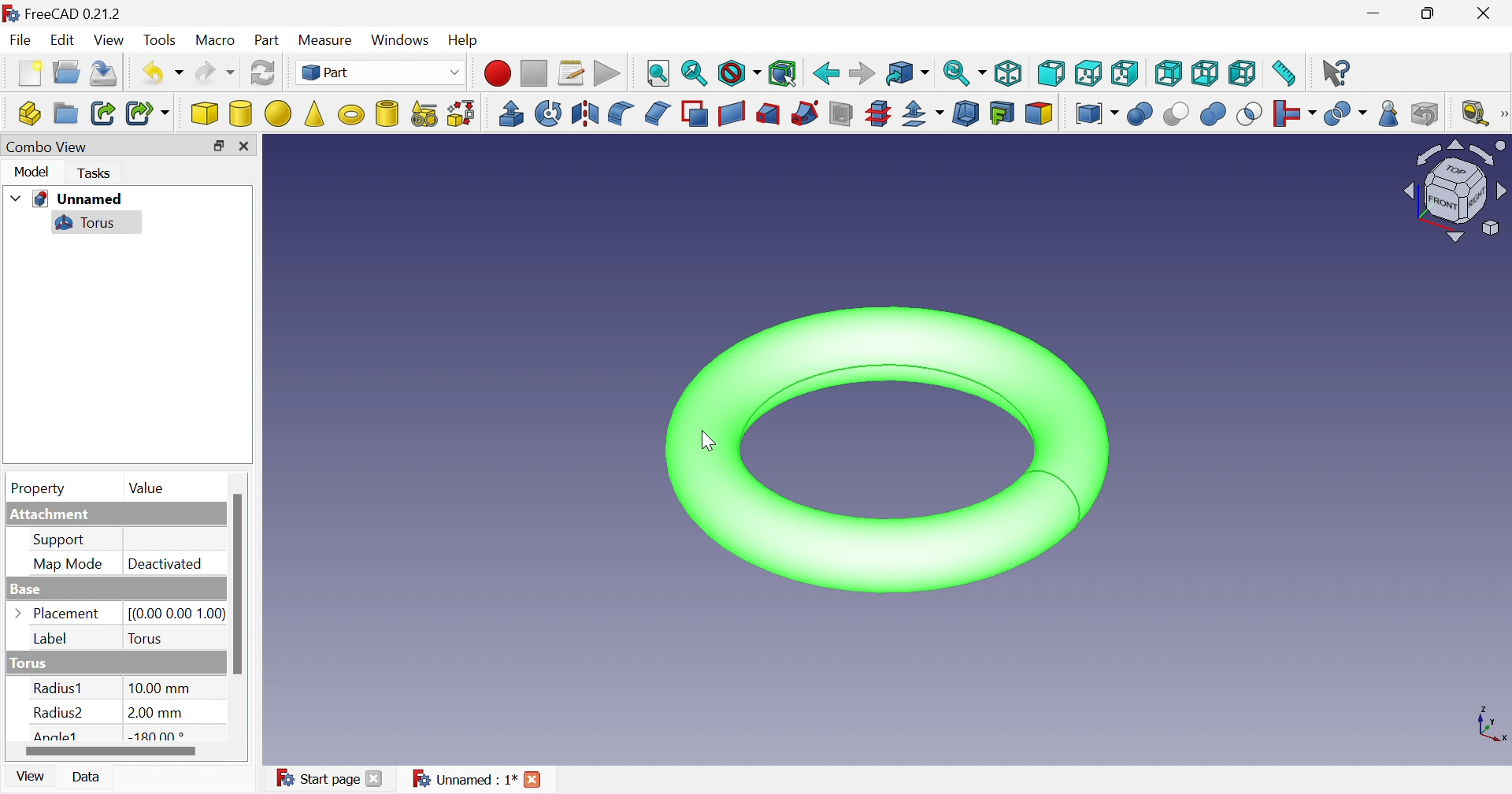 This screenshot has height=794, width=1512. Describe the element at coordinates (887, 451) in the screenshot. I see `Torus(selected shape)` at that location.